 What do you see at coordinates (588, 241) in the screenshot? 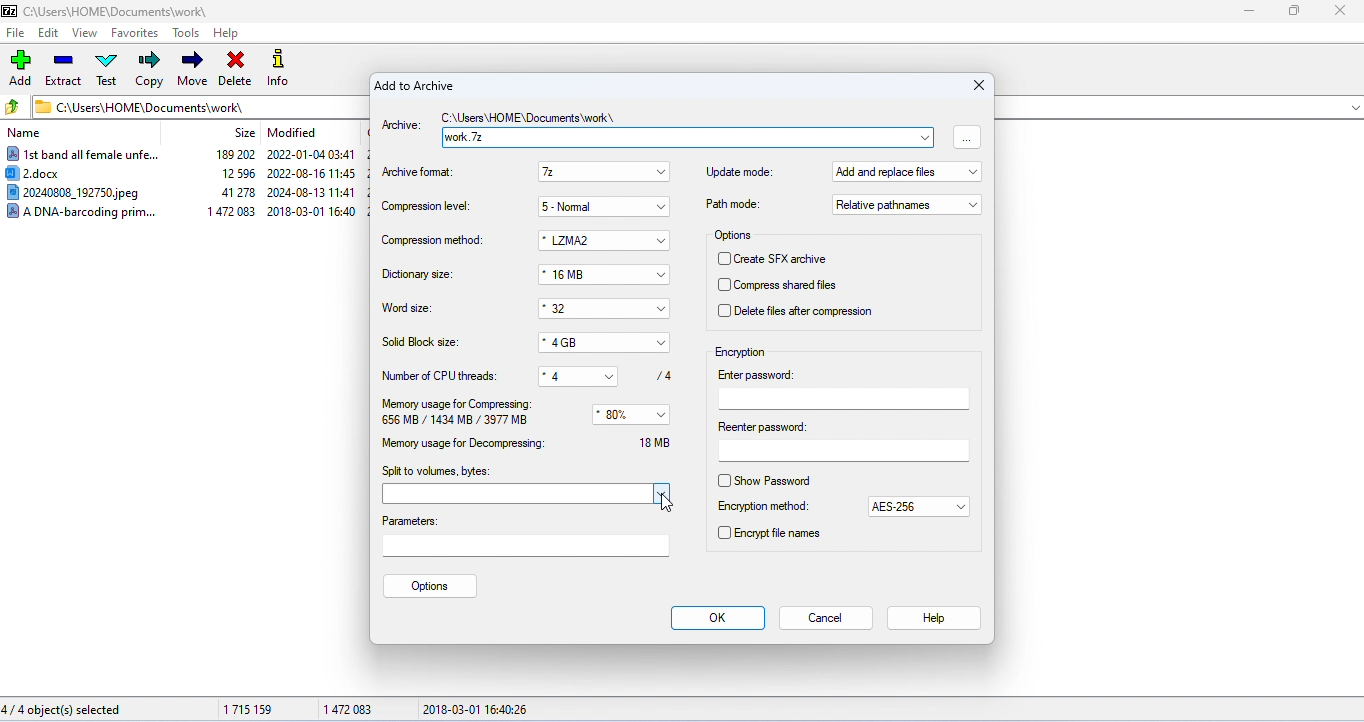
I see `*LZMA2` at bounding box center [588, 241].